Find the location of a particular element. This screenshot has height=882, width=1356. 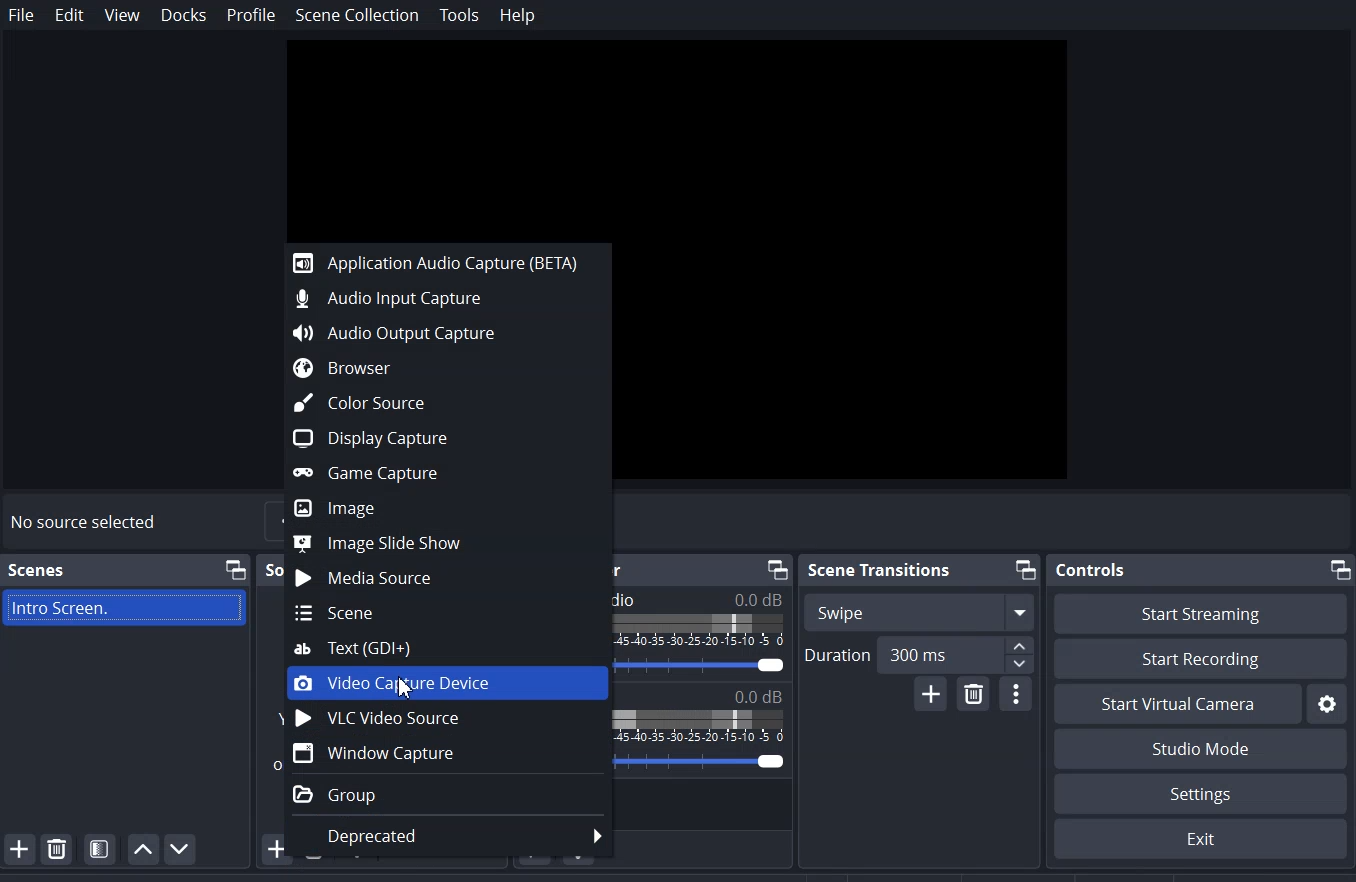

Preview file is located at coordinates (682, 137).